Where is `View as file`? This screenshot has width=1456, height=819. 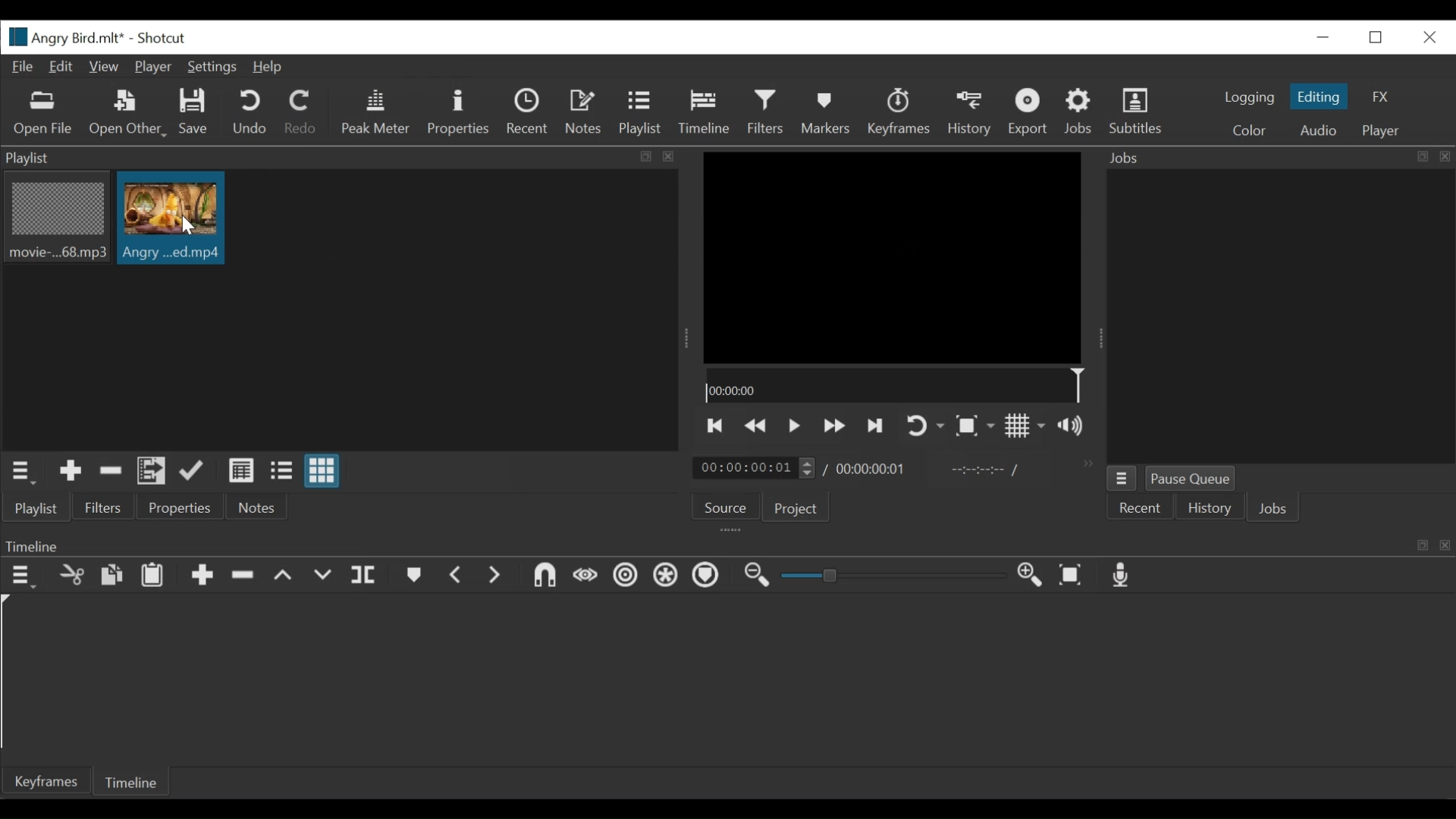
View as file is located at coordinates (284, 473).